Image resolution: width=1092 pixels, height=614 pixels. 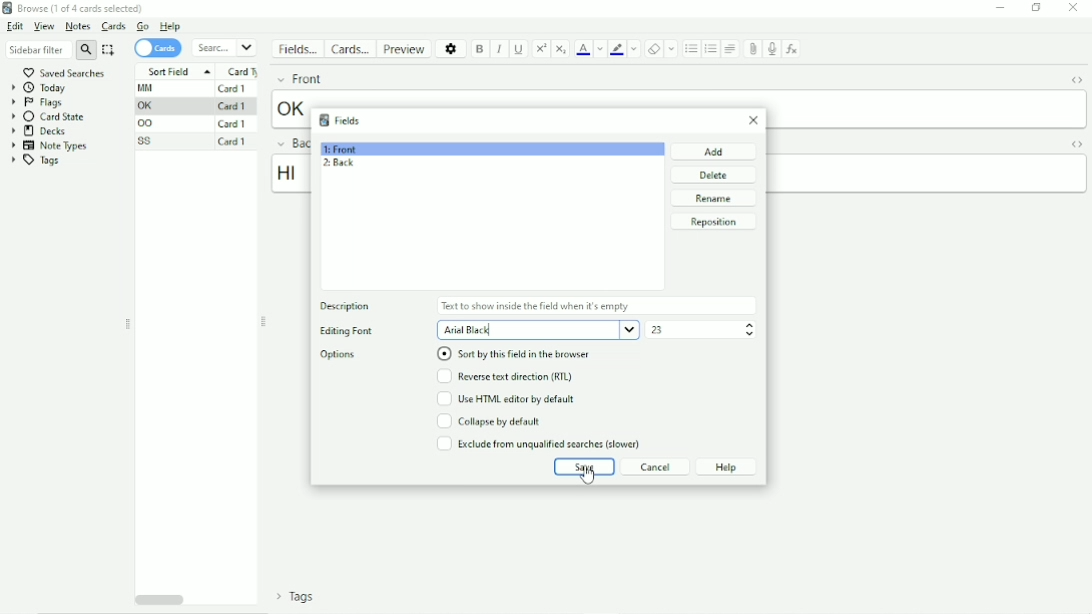 What do you see at coordinates (291, 599) in the screenshot?
I see `Tags` at bounding box center [291, 599].